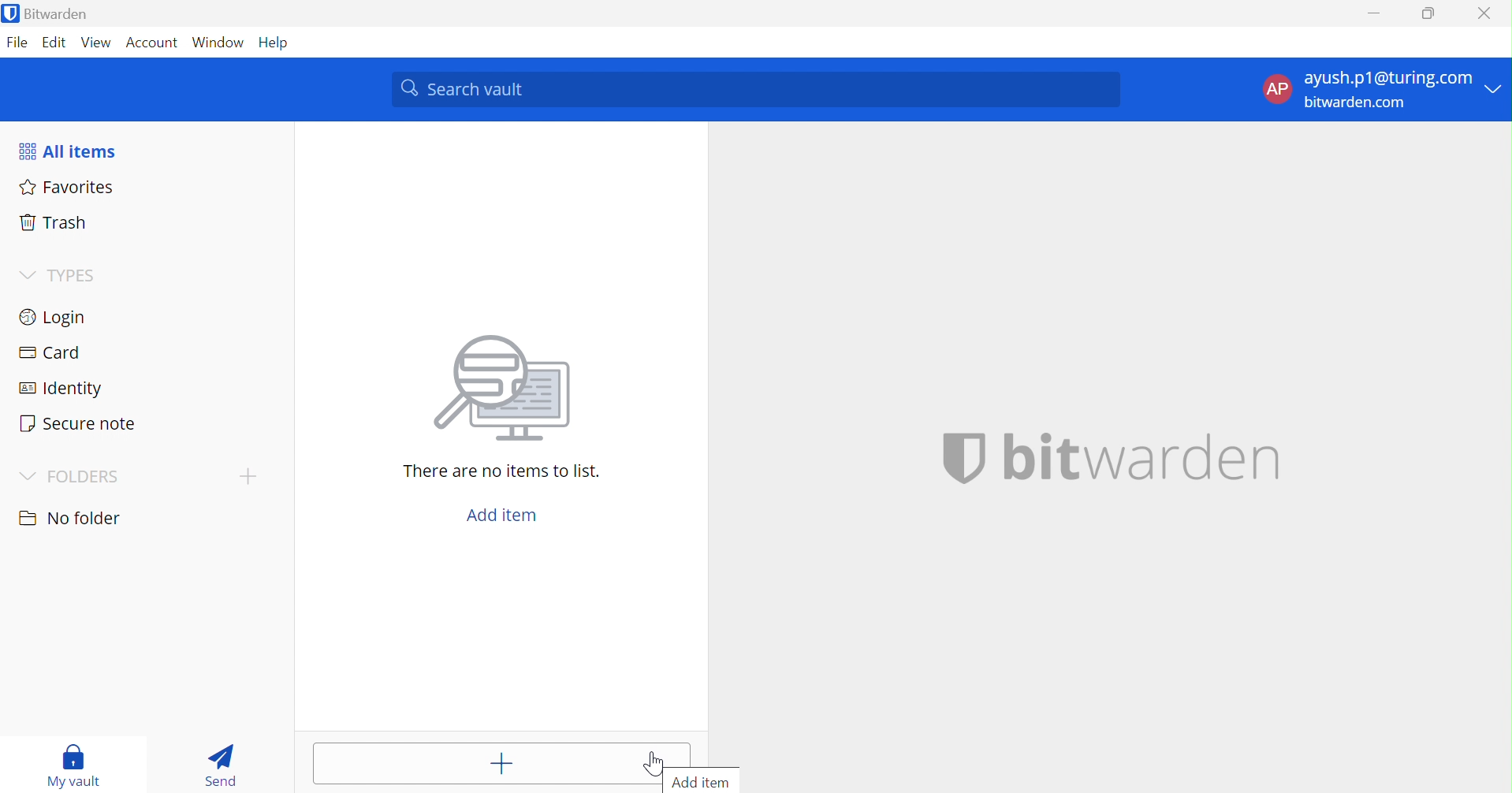 The width and height of the screenshot is (1512, 793). I want to click on Login, so click(56, 316).